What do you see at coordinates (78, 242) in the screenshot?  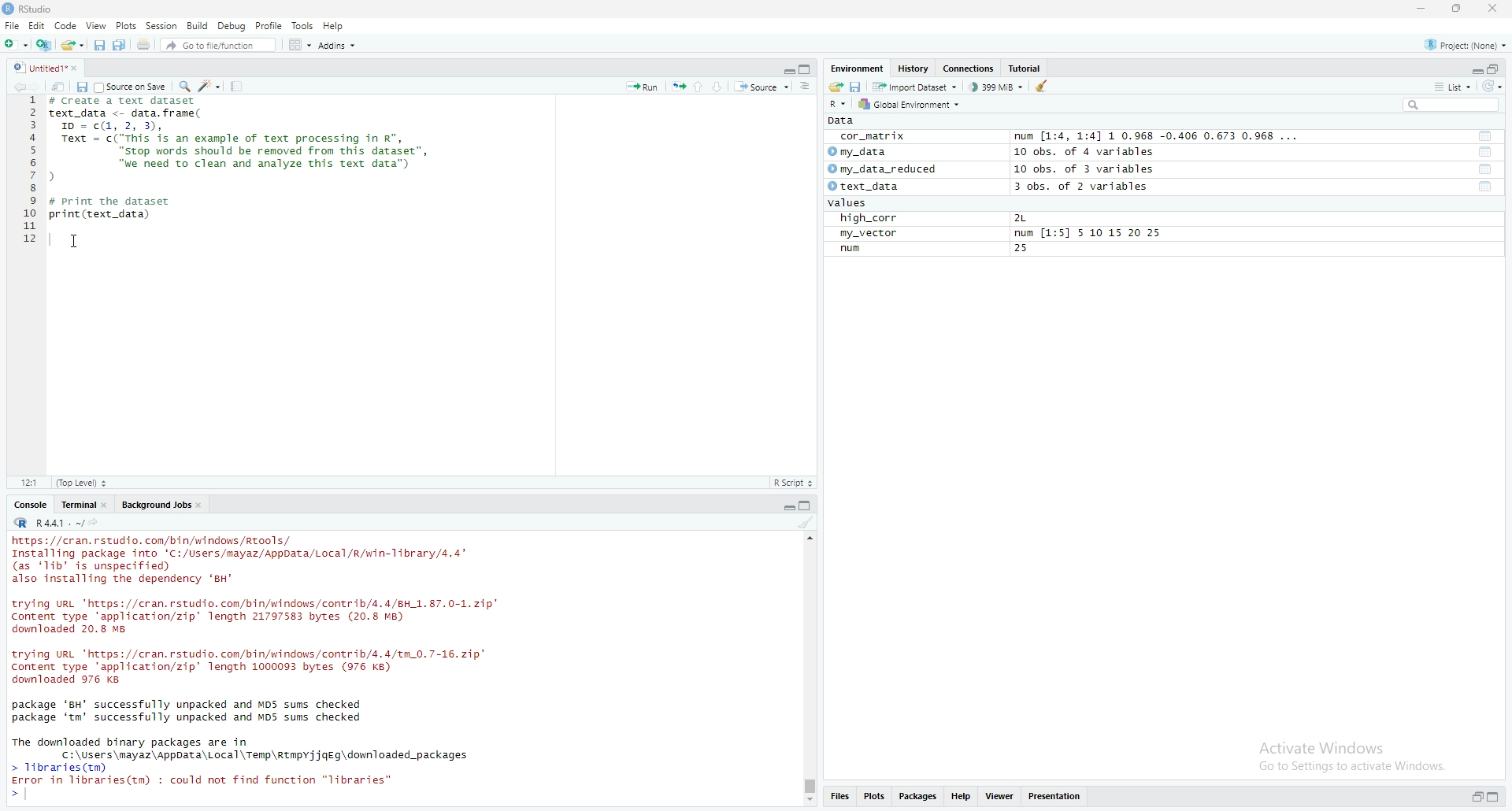 I see `cursor` at bounding box center [78, 242].